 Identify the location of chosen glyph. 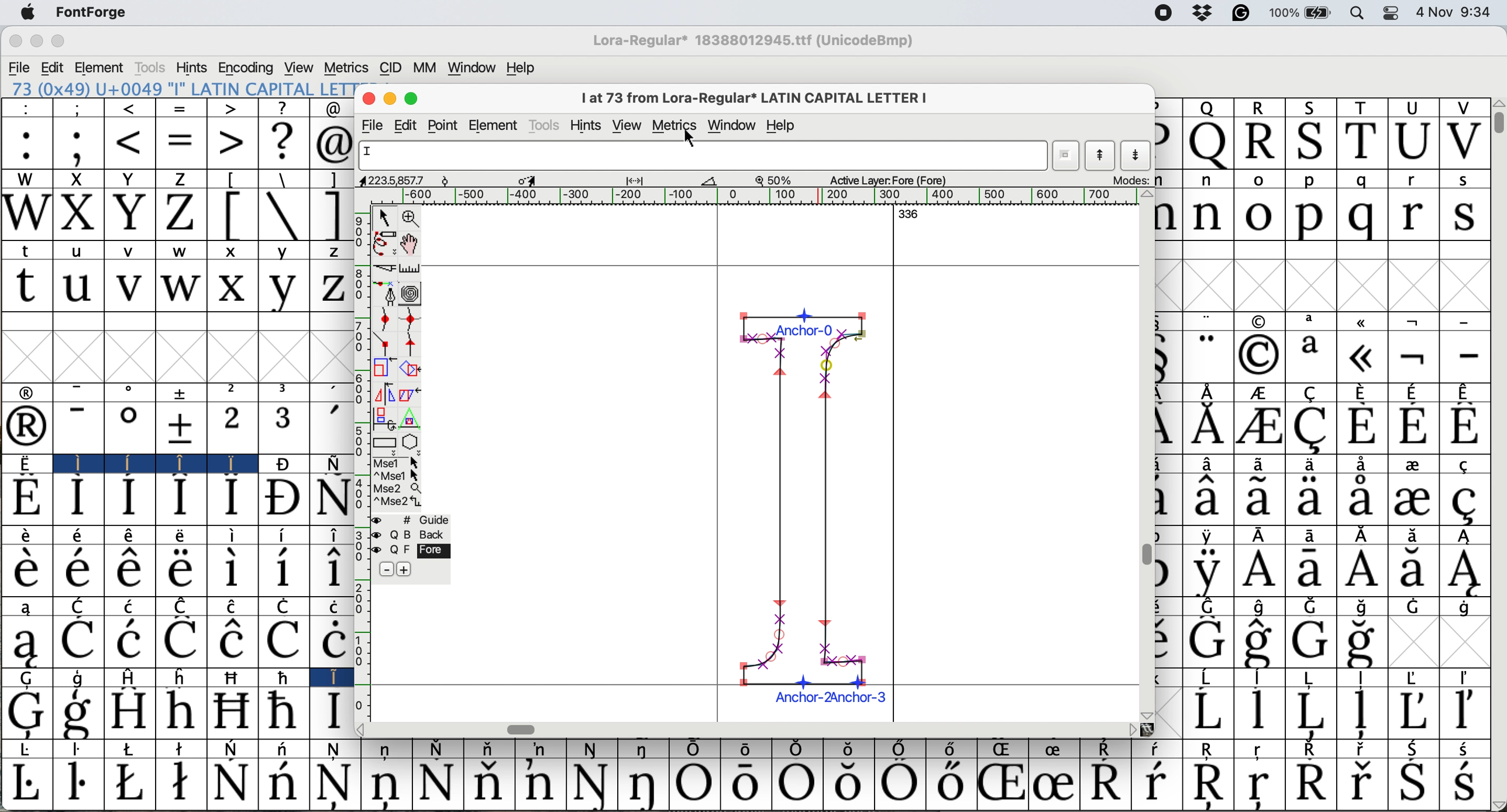
(810, 503).